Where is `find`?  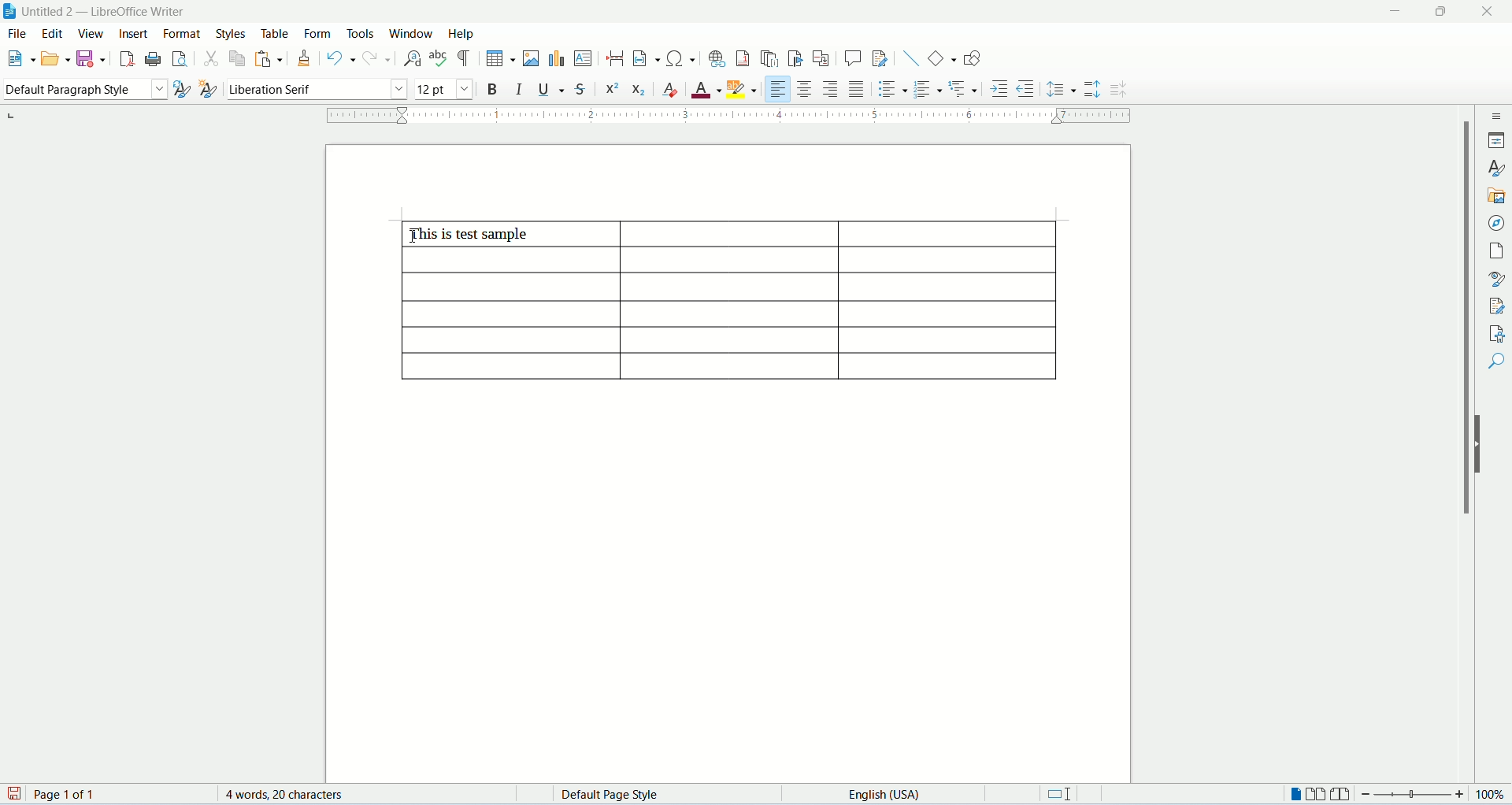
find is located at coordinates (1497, 362).